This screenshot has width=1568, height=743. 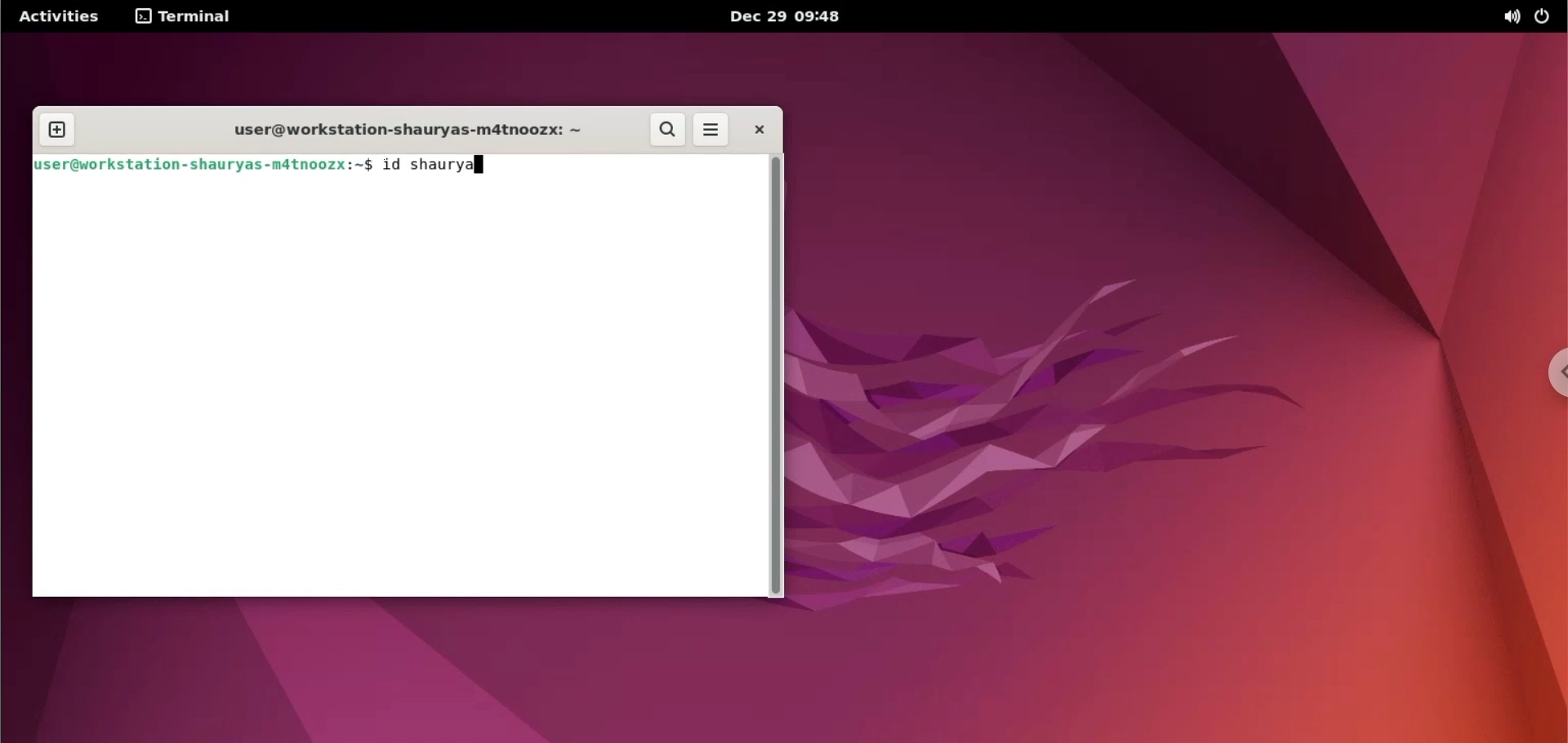 I want to click on sound option, so click(x=1508, y=18).